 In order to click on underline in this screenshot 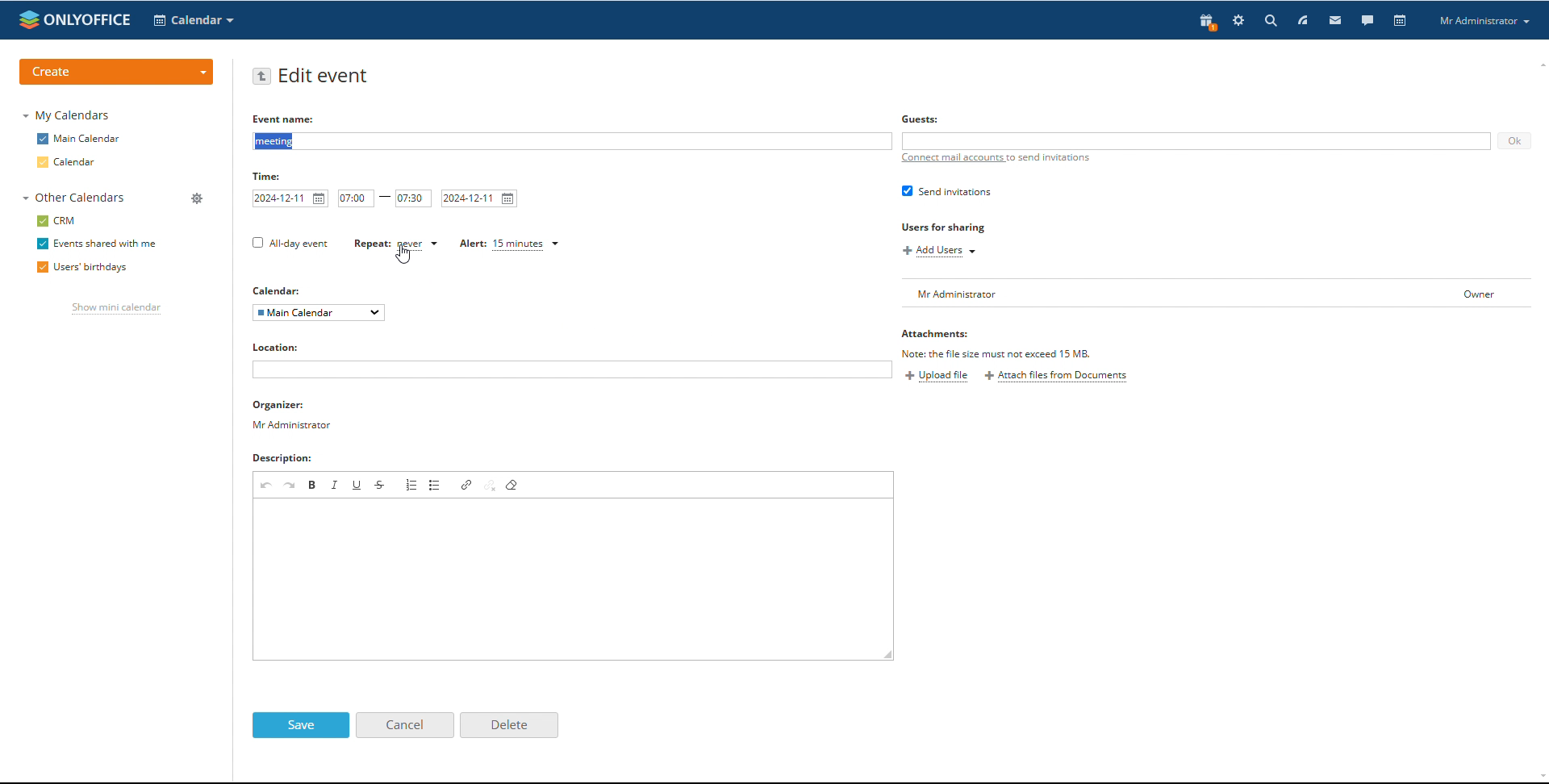, I will do `click(357, 485)`.